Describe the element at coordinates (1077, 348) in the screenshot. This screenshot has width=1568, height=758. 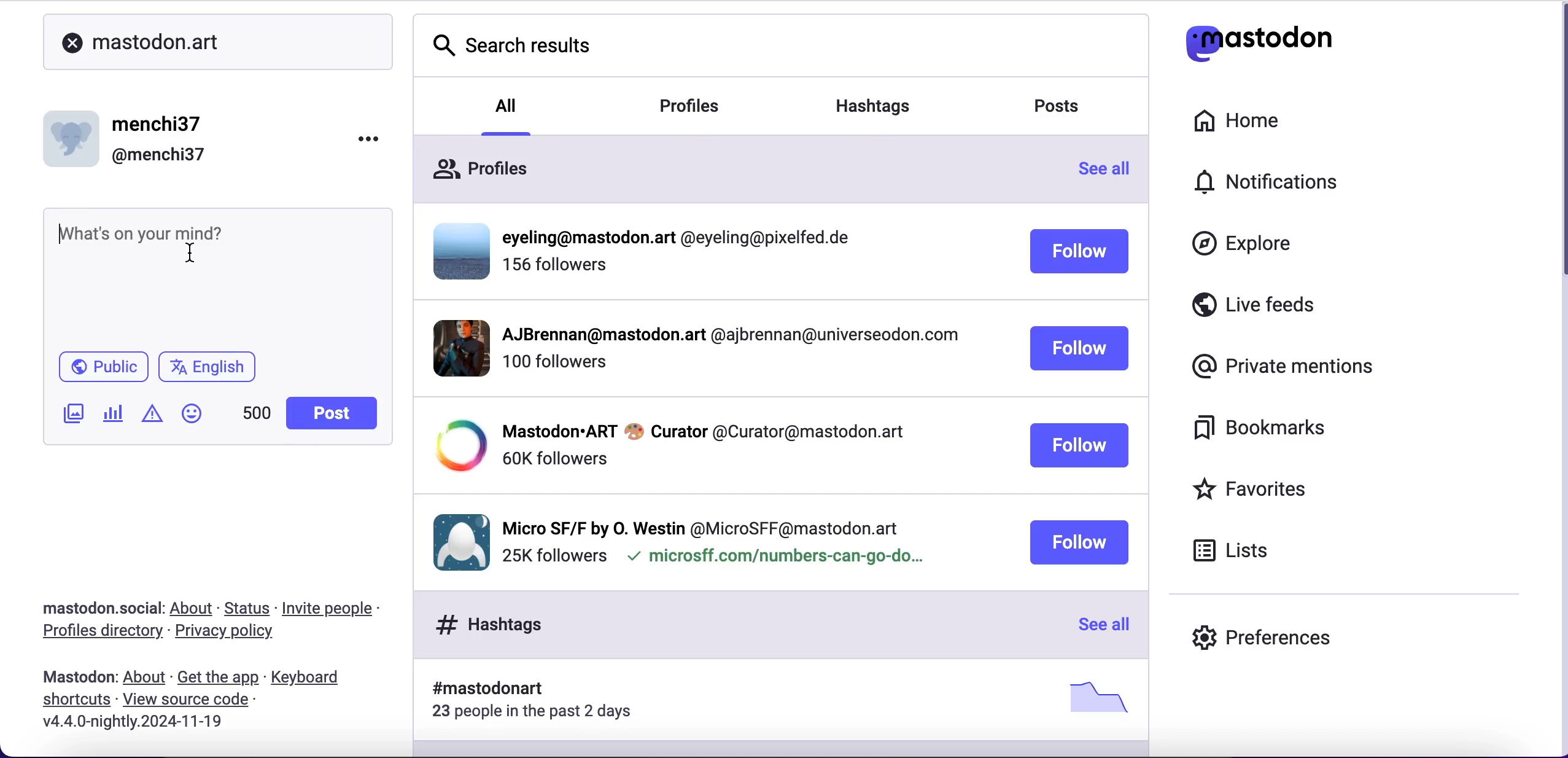
I see `follow` at that location.